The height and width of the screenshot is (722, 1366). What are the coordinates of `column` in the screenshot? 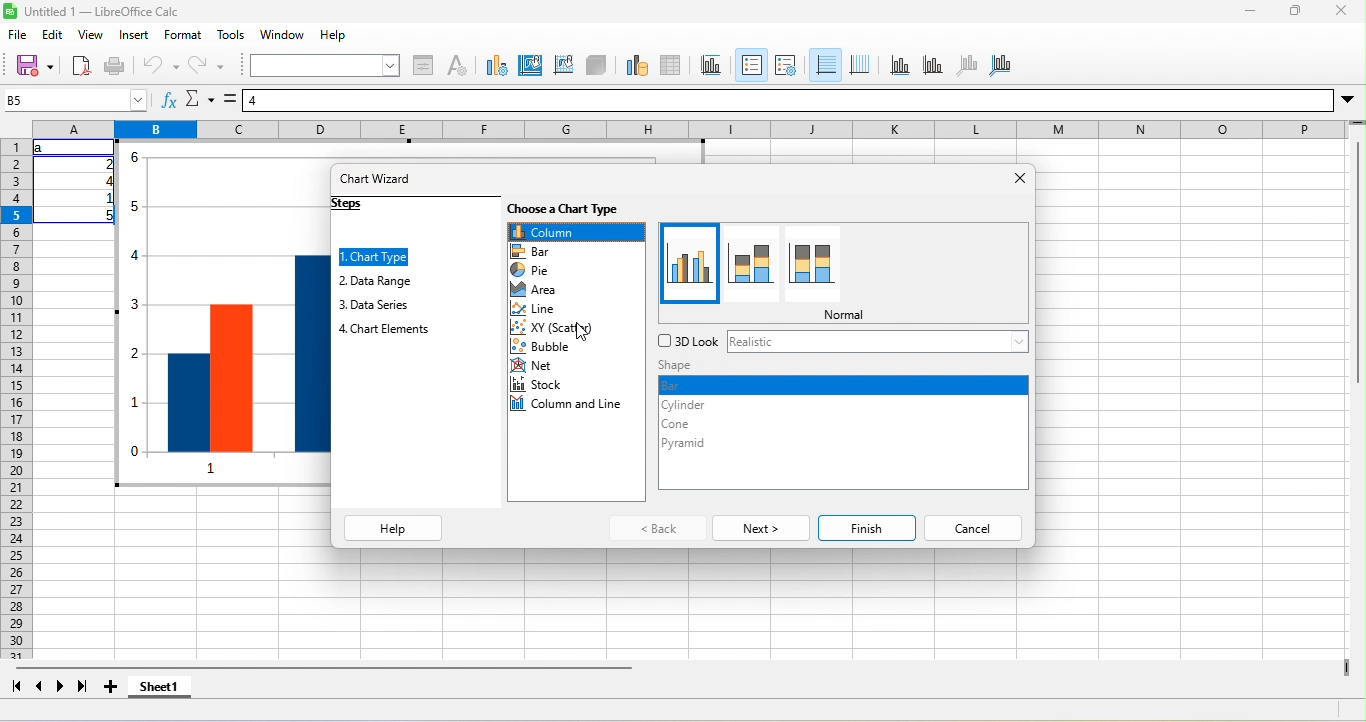 It's located at (577, 232).